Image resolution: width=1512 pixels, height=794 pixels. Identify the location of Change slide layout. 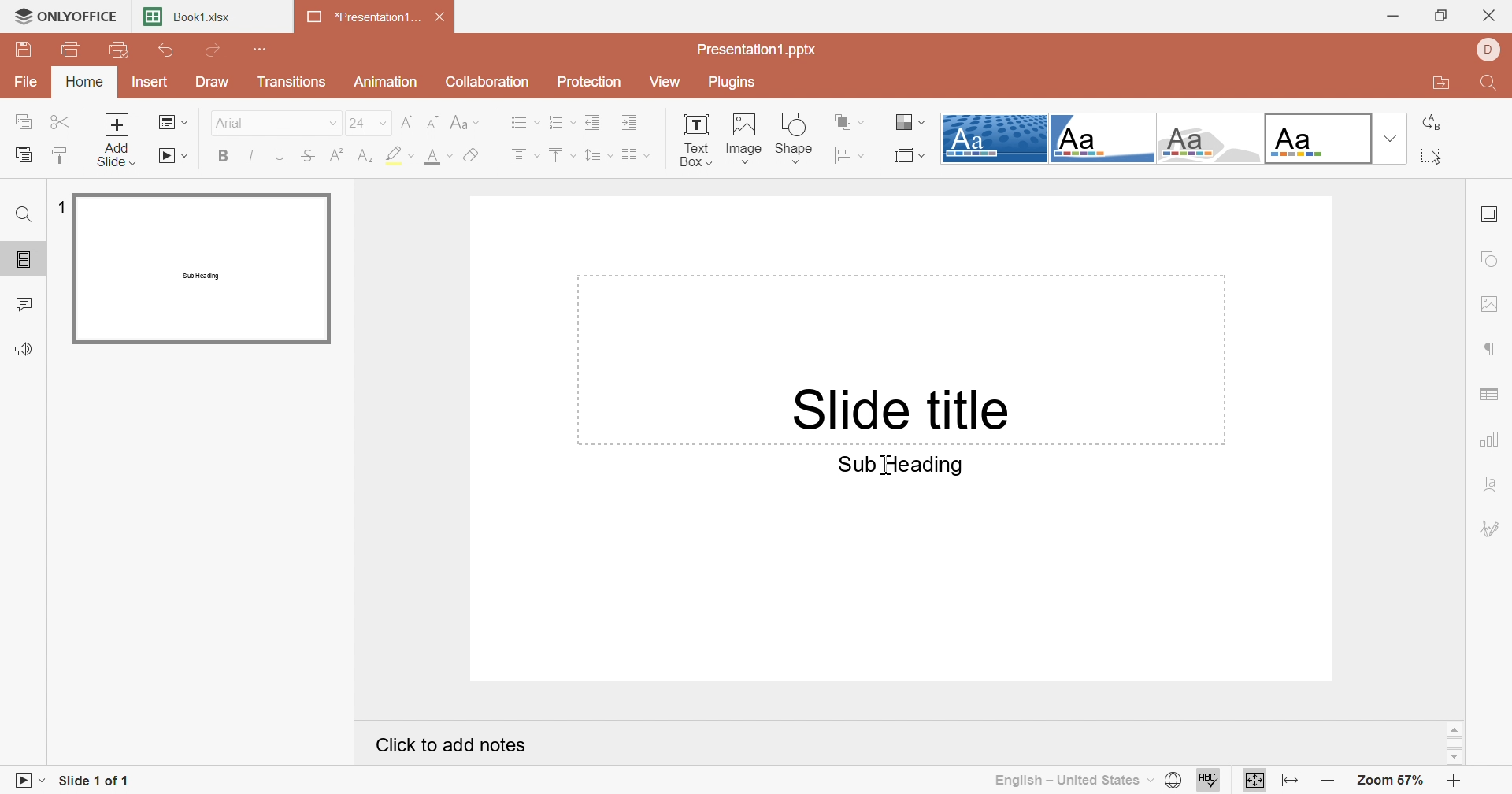
(171, 124).